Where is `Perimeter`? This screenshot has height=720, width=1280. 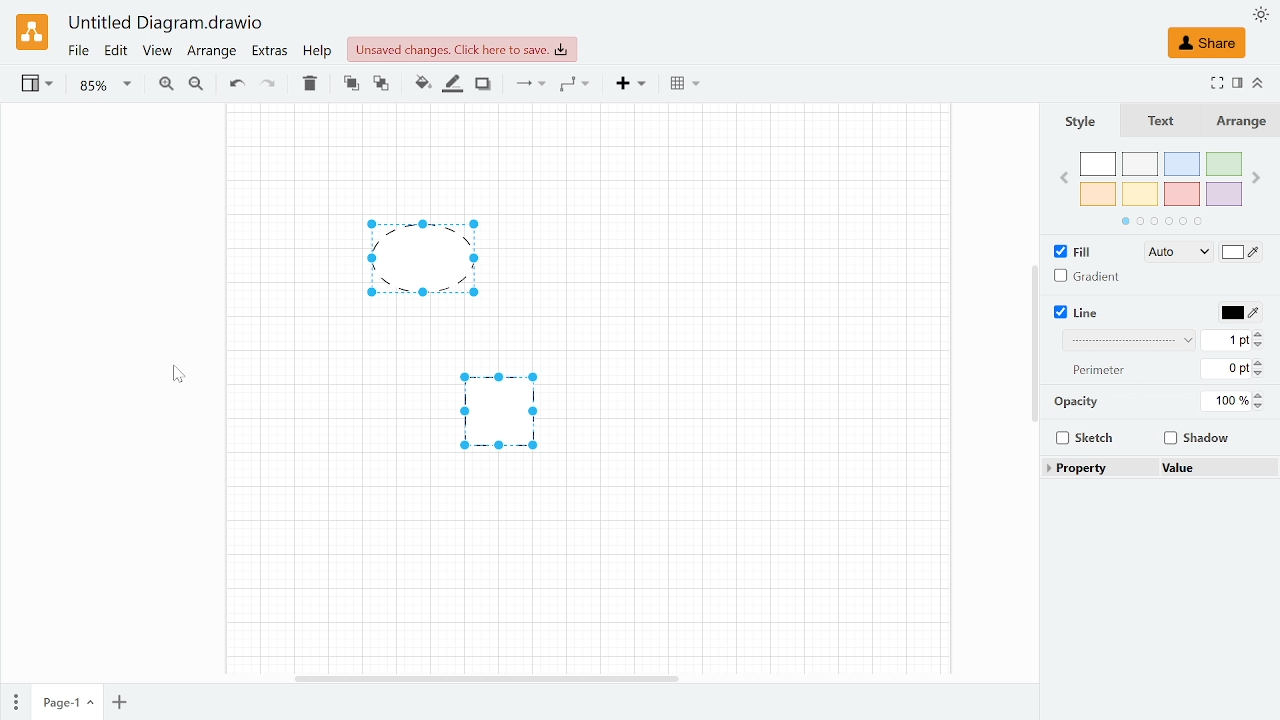 Perimeter is located at coordinates (1223, 370).